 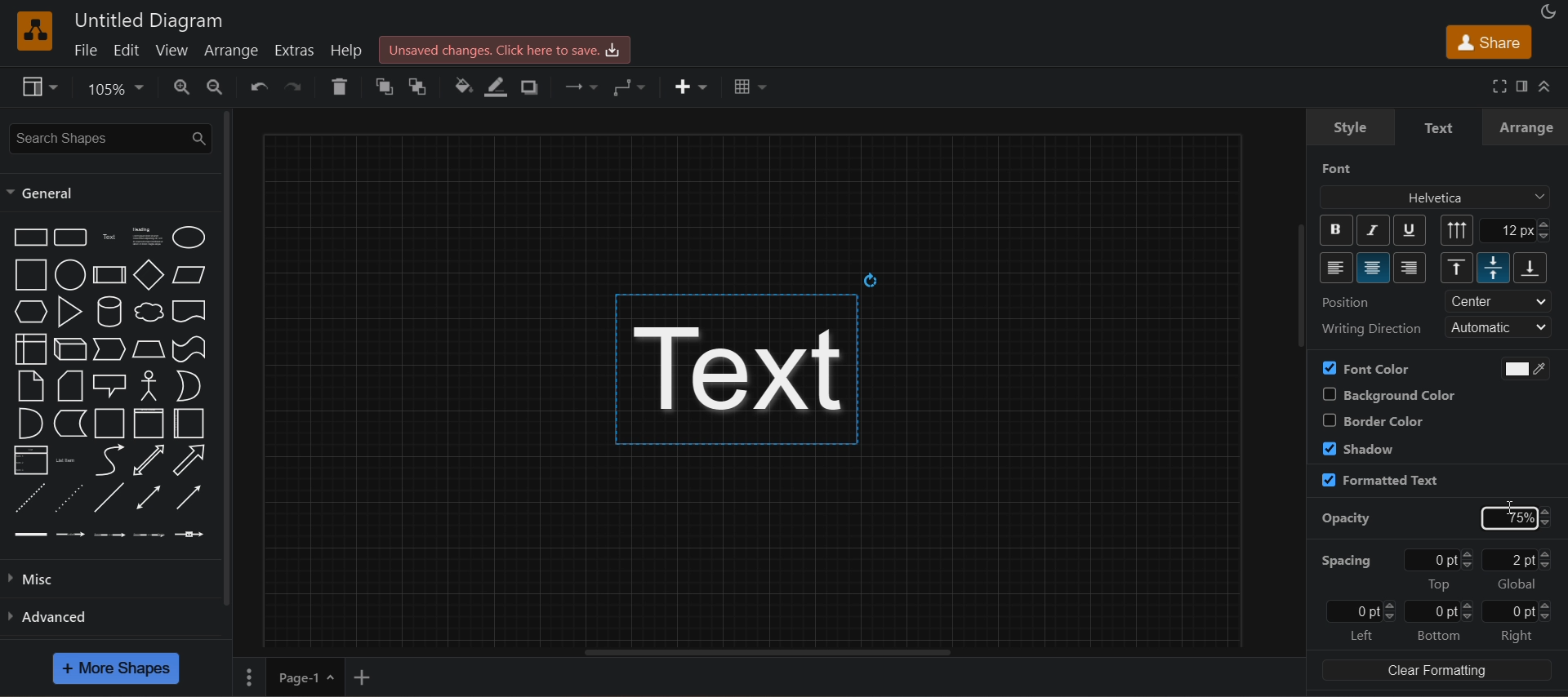 I want to click on 0 pt, so click(x=1361, y=611).